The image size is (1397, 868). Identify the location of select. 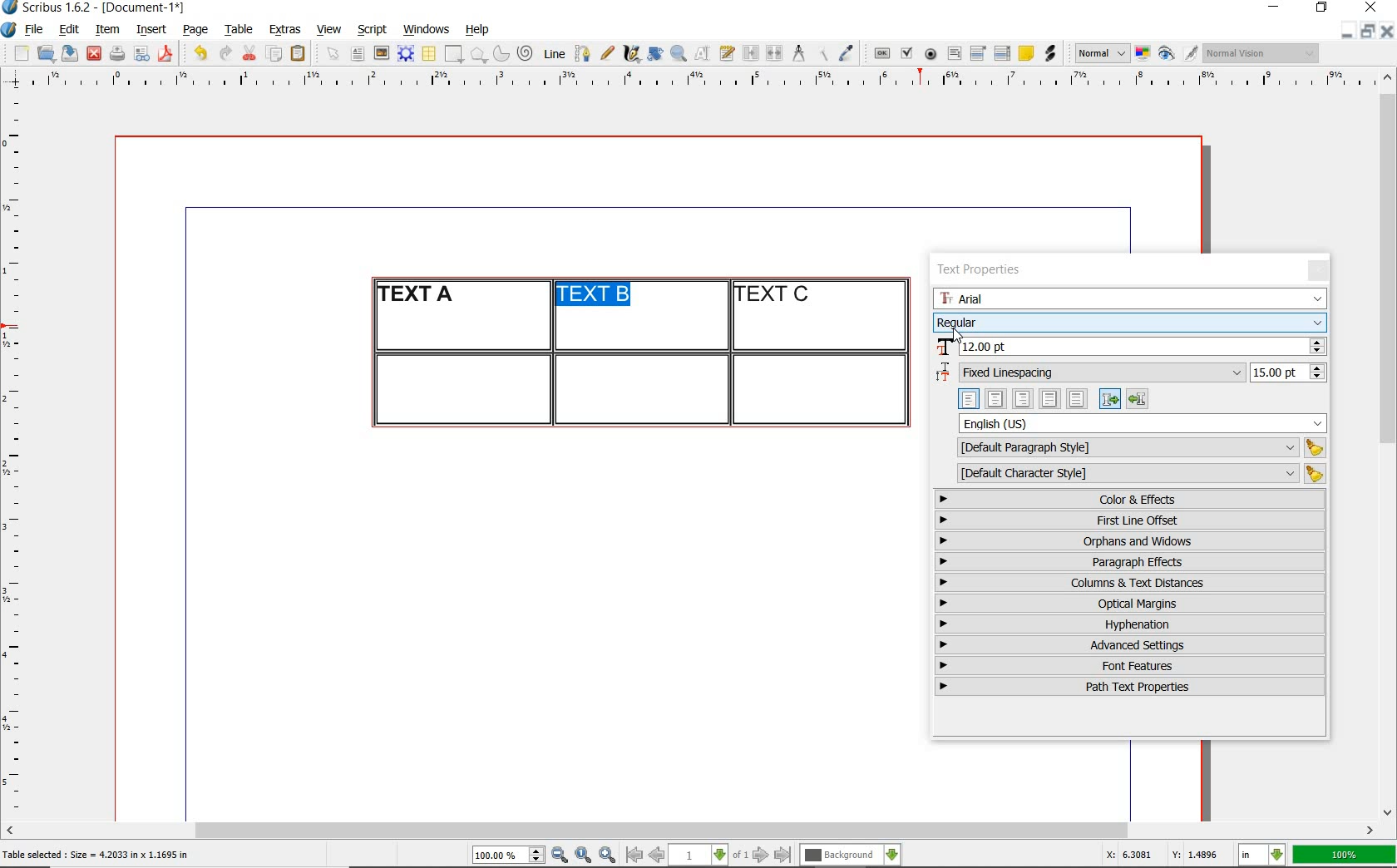
(334, 55).